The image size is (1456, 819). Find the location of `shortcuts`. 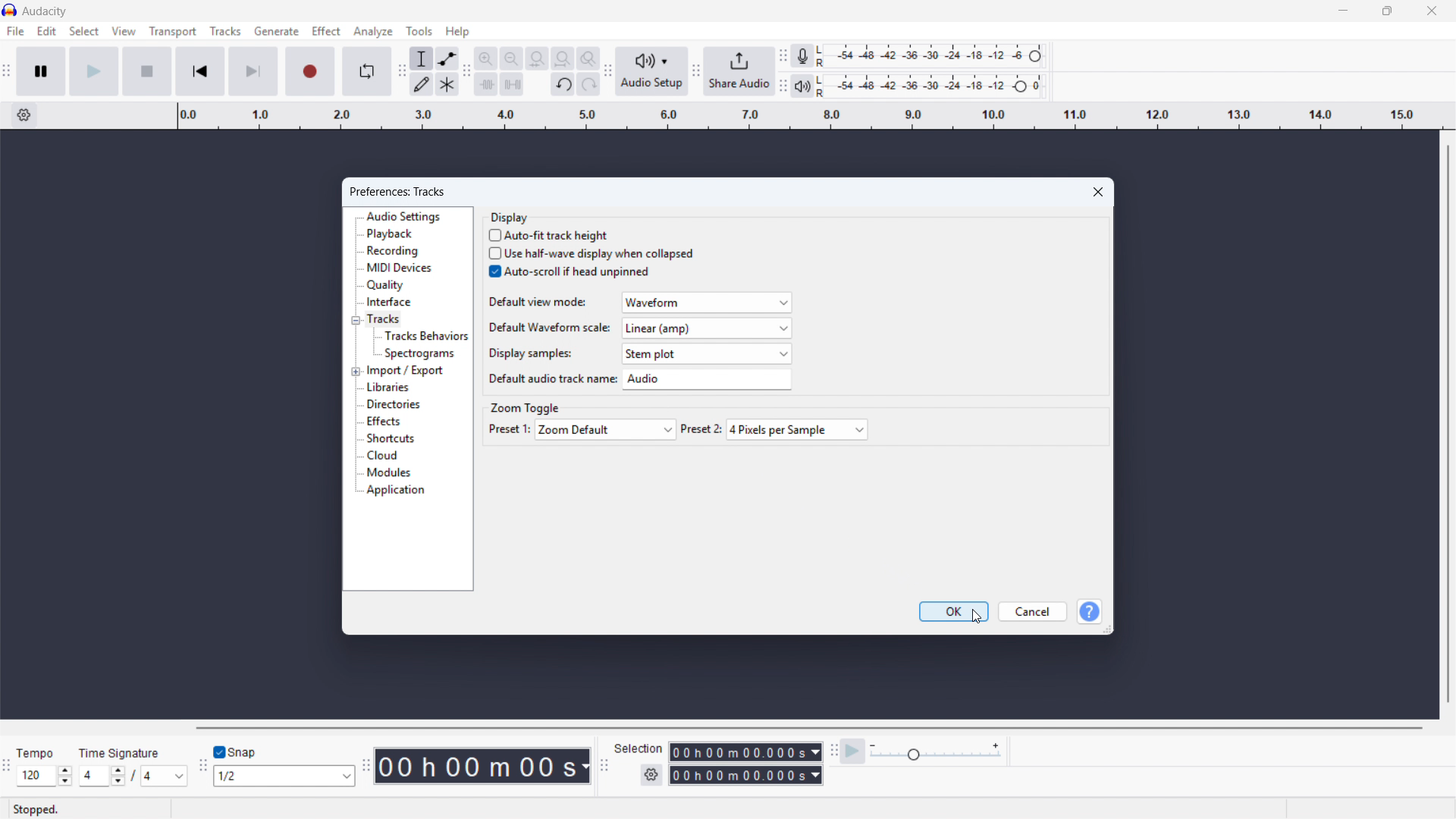

shortcuts is located at coordinates (391, 438).